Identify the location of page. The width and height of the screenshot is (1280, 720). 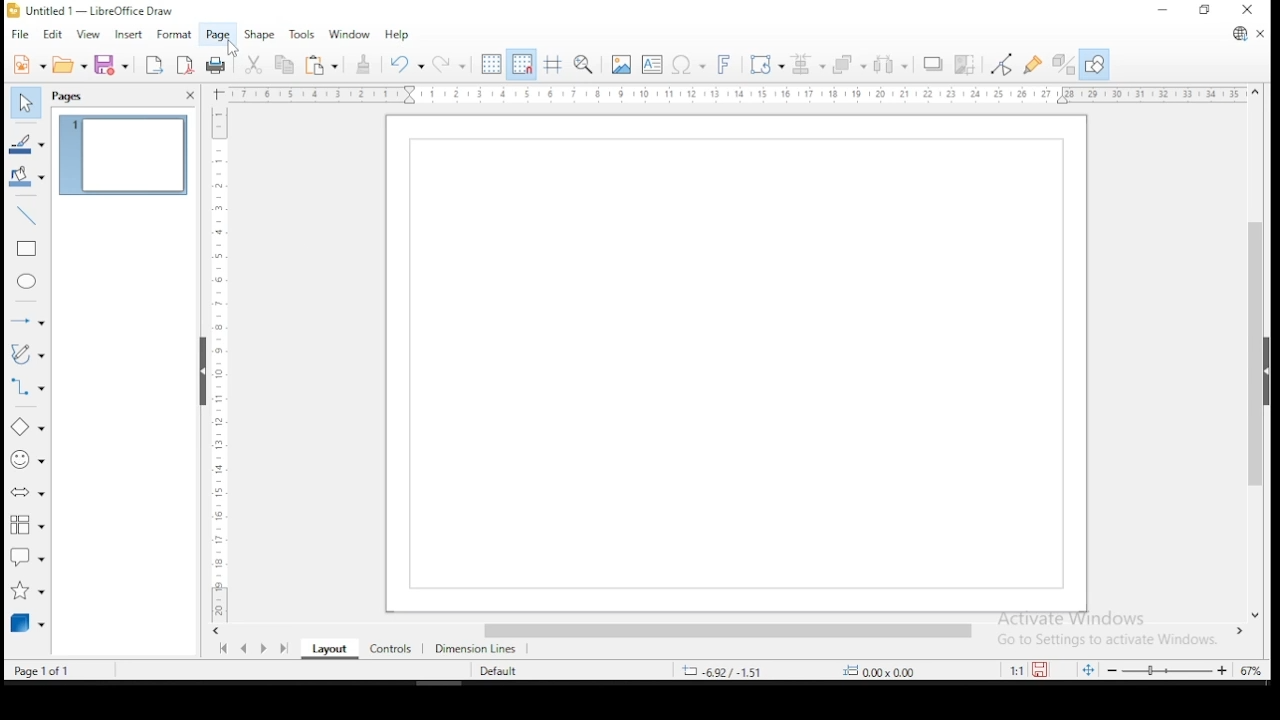
(219, 37).